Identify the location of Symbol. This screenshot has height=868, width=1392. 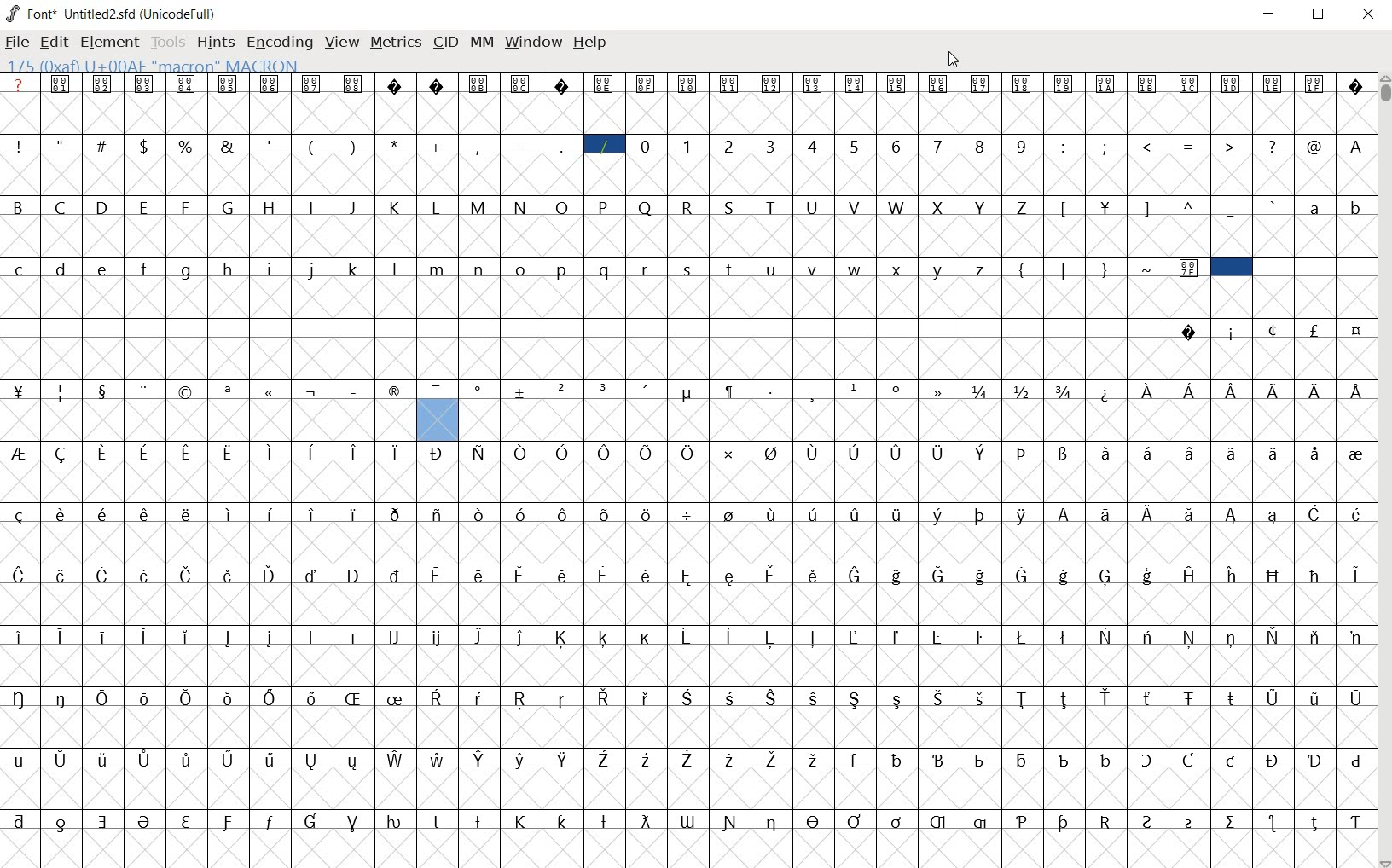
(648, 574).